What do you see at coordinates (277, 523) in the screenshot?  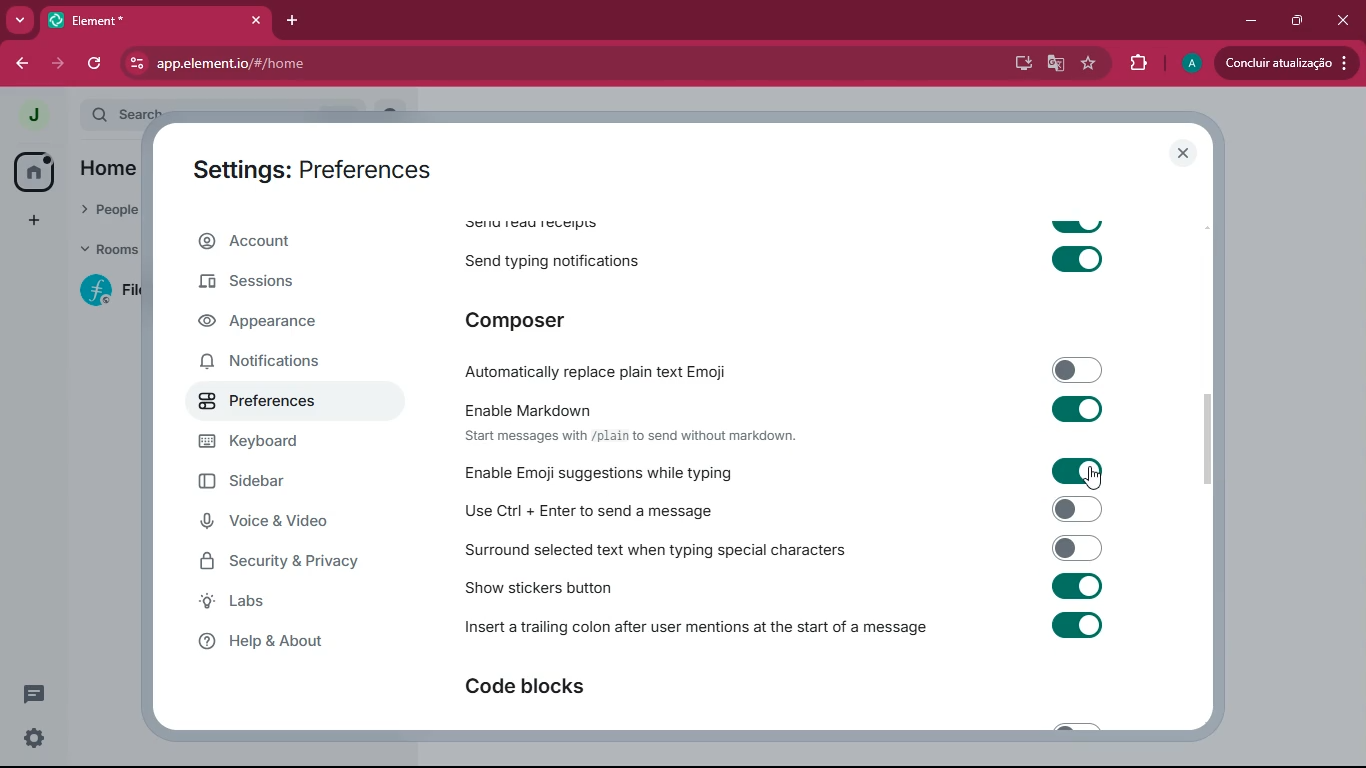 I see `voice` at bounding box center [277, 523].